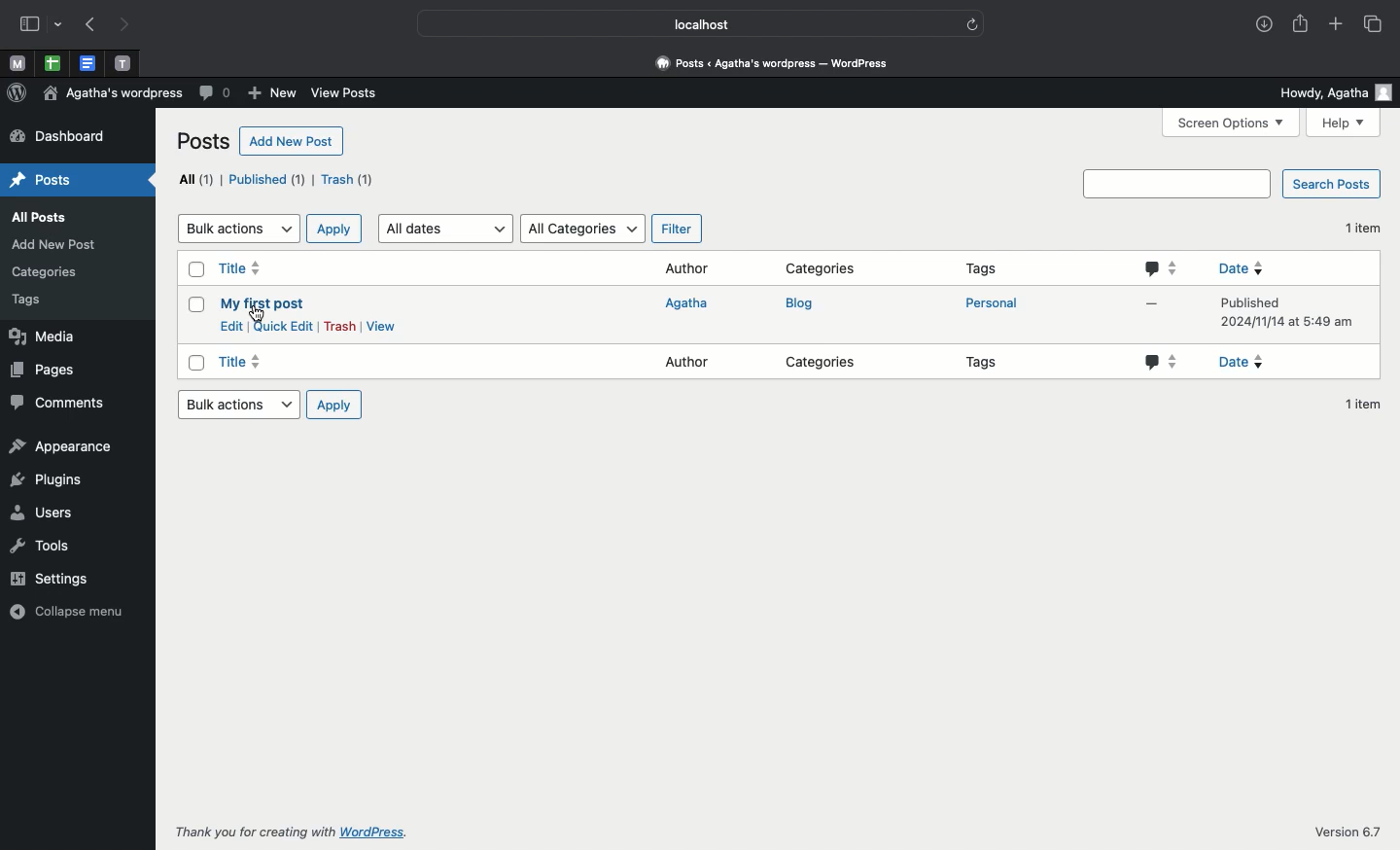 Image resolution: width=1400 pixels, height=850 pixels. What do you see at coordinates (989, 303) in the screenshot?
I see `Personal` at bounding box center [989, 303].